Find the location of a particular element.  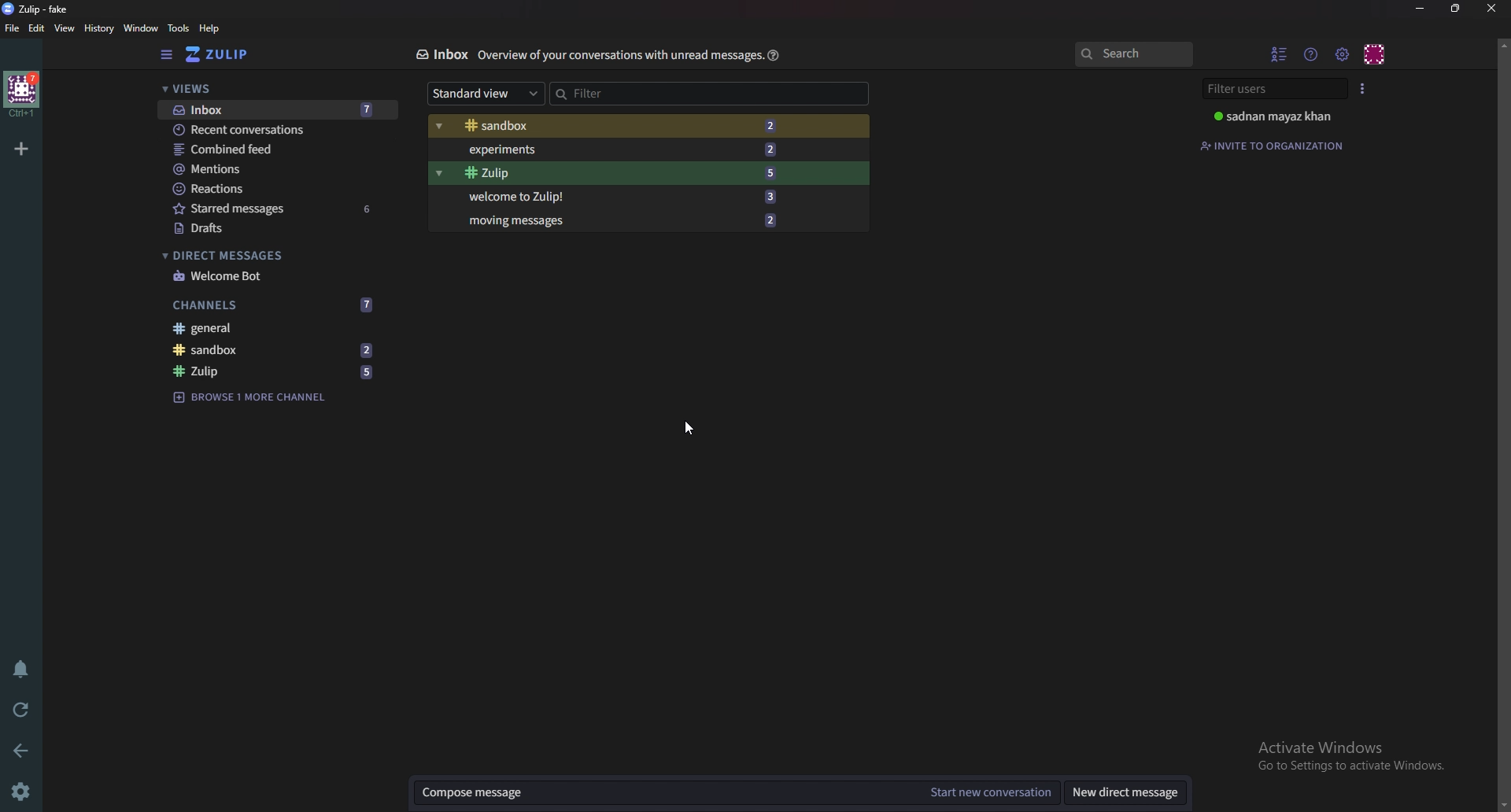

Standard view is located at coordinates (486, 92).